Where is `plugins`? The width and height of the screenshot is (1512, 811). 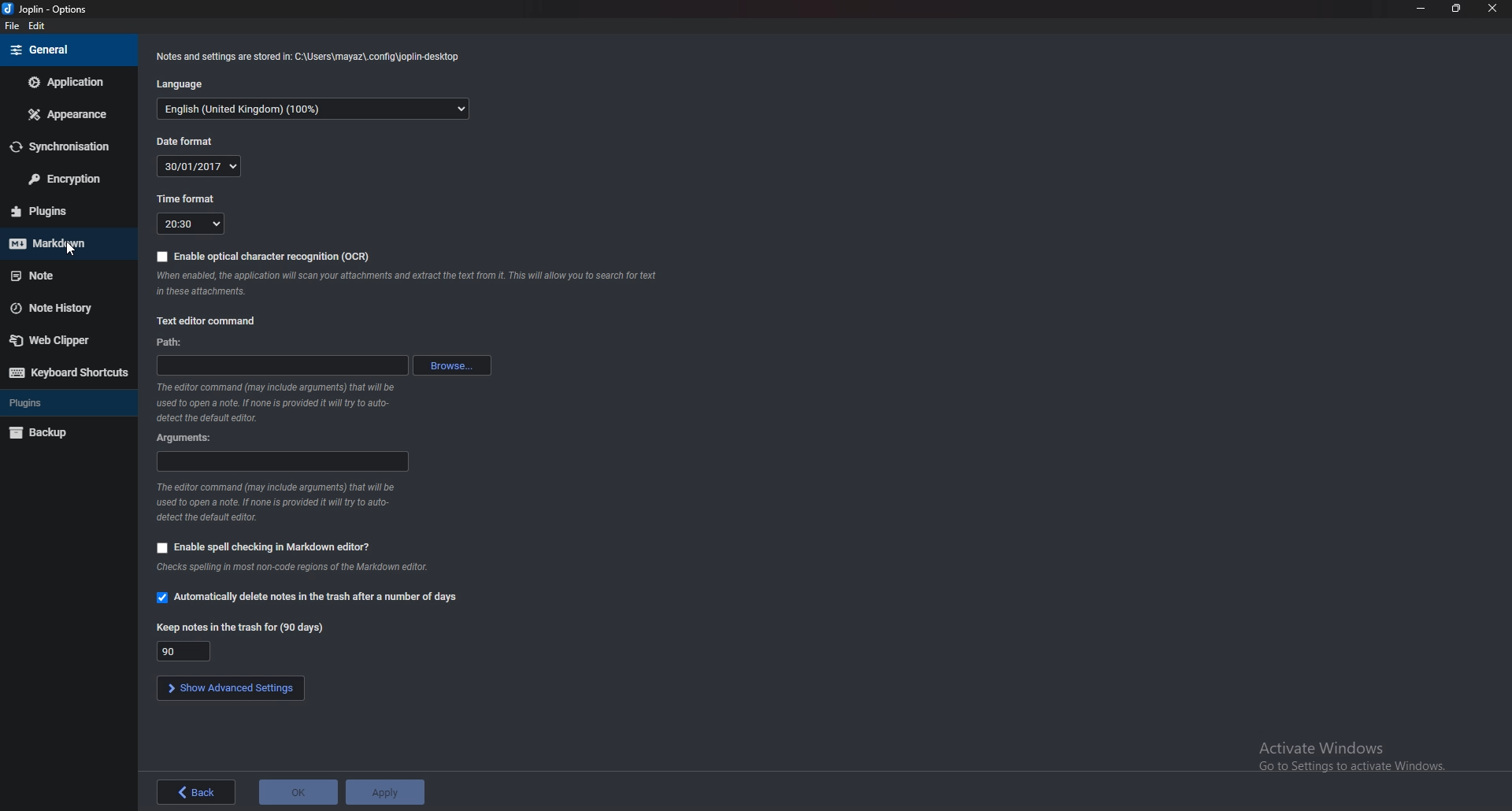
plugins is located at coordinates (64, 211).